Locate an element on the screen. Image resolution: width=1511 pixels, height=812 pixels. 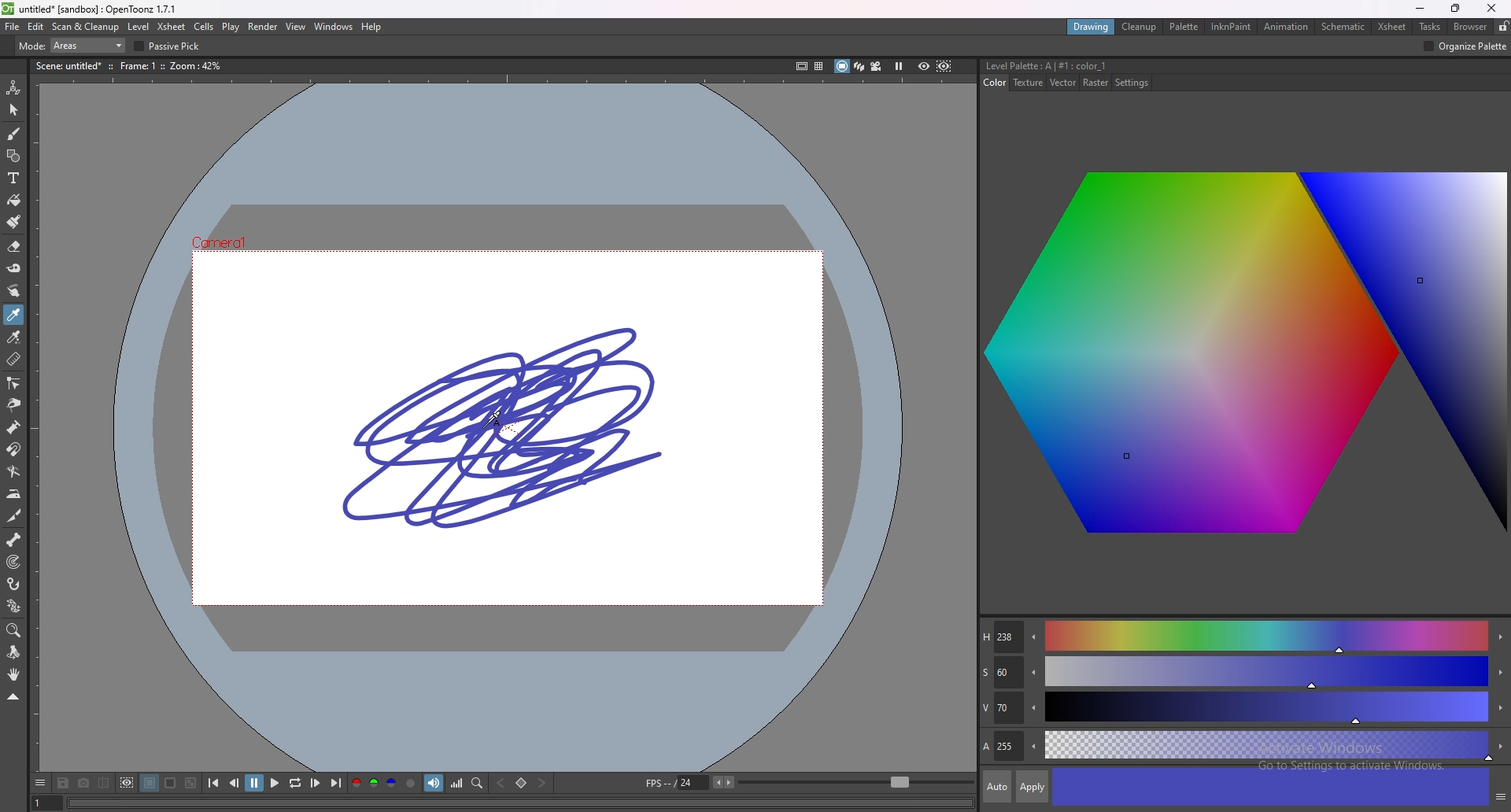
histogram is located at coordinates (456, 783).